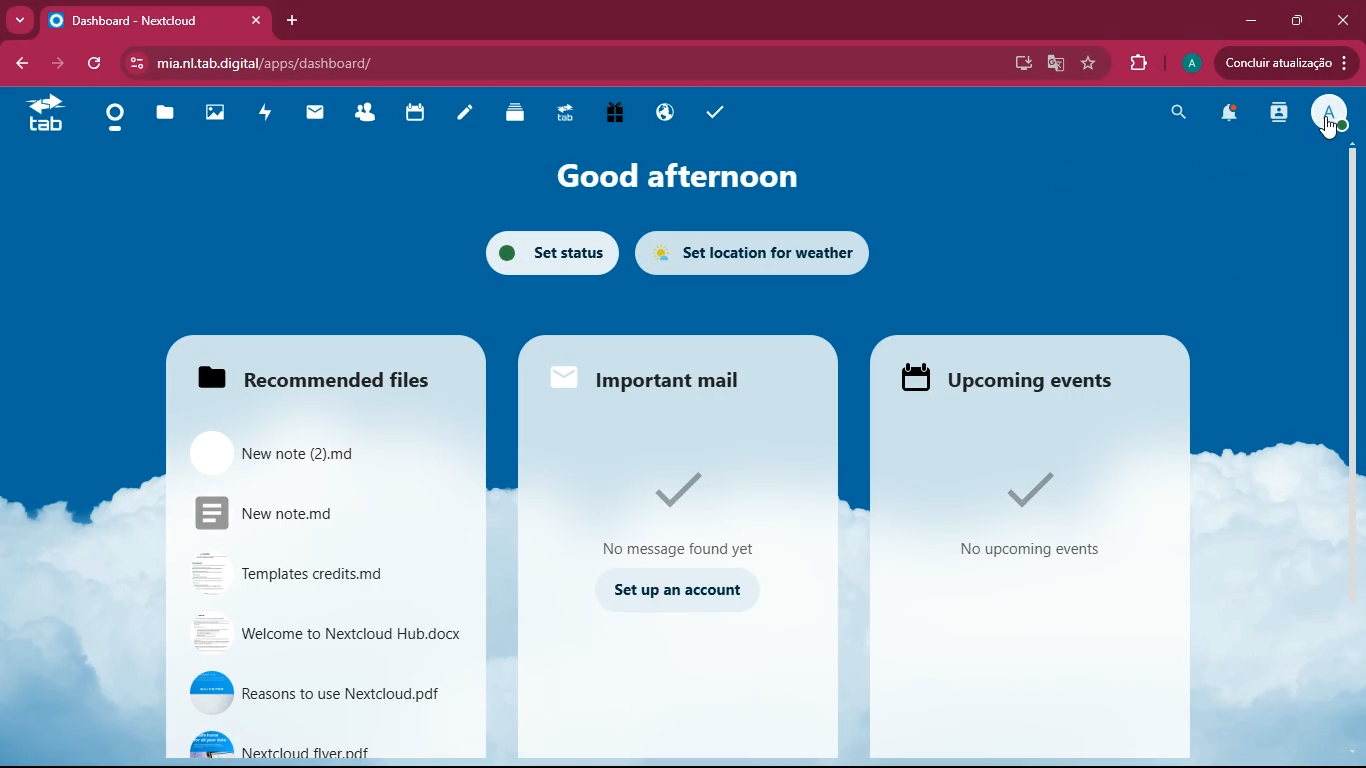 Image resolution: width=1366 pixels, height=768 pixels. I want to click on url, so click(398, 64).